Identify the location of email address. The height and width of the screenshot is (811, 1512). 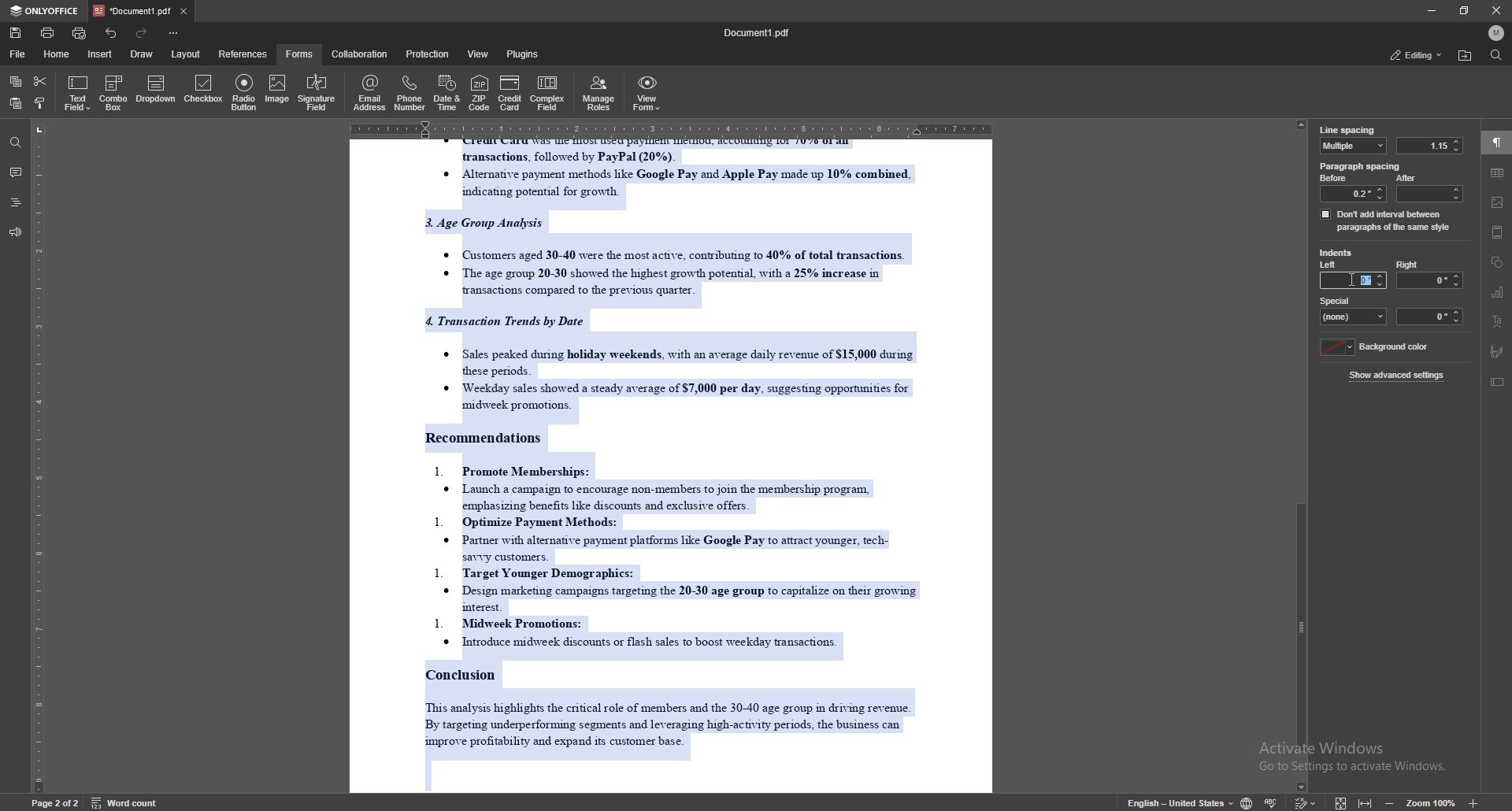
(370, 92).